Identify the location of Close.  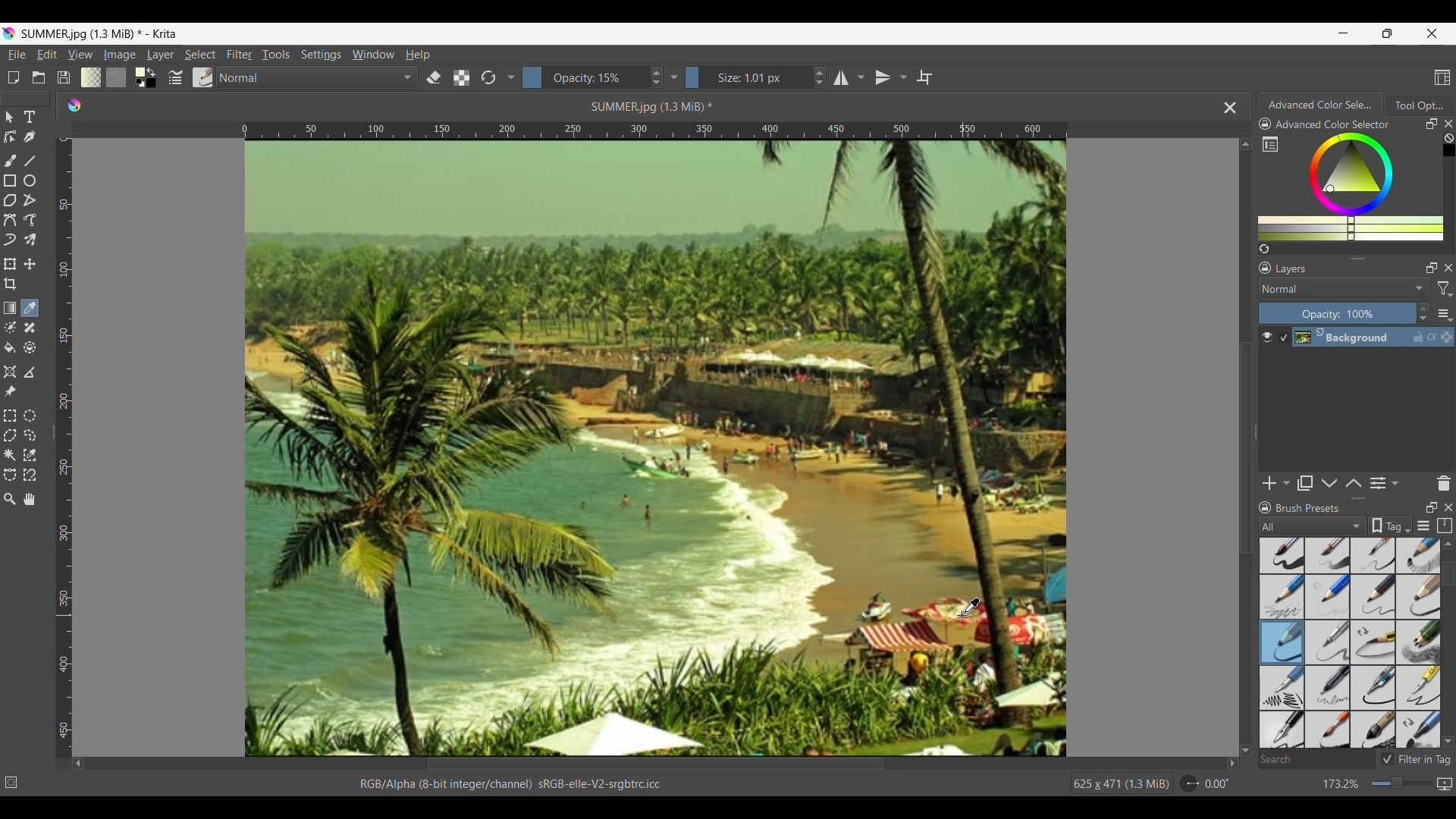
(1449, 507).